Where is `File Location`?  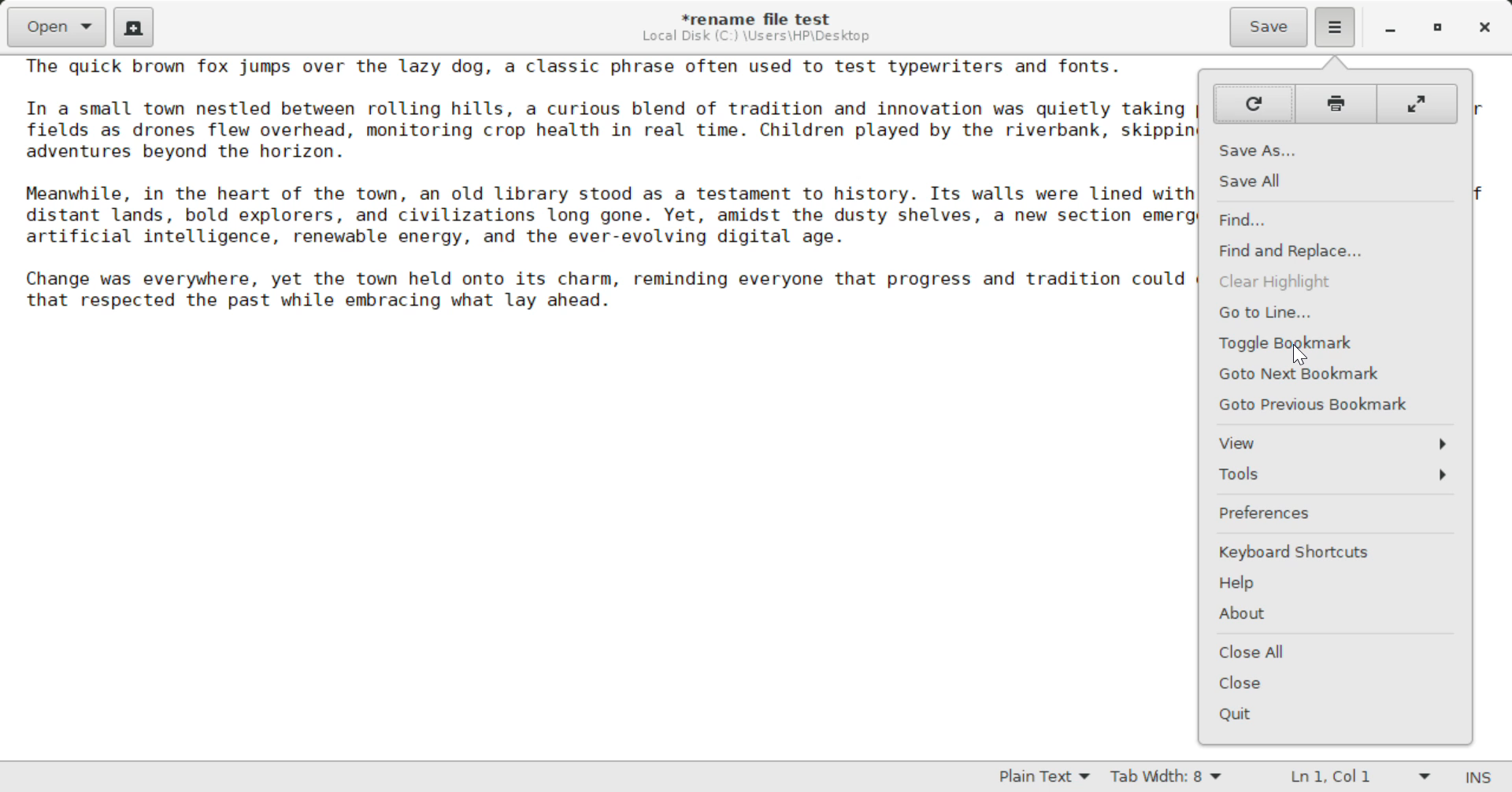
File Location is located at coordinates (757, 38).